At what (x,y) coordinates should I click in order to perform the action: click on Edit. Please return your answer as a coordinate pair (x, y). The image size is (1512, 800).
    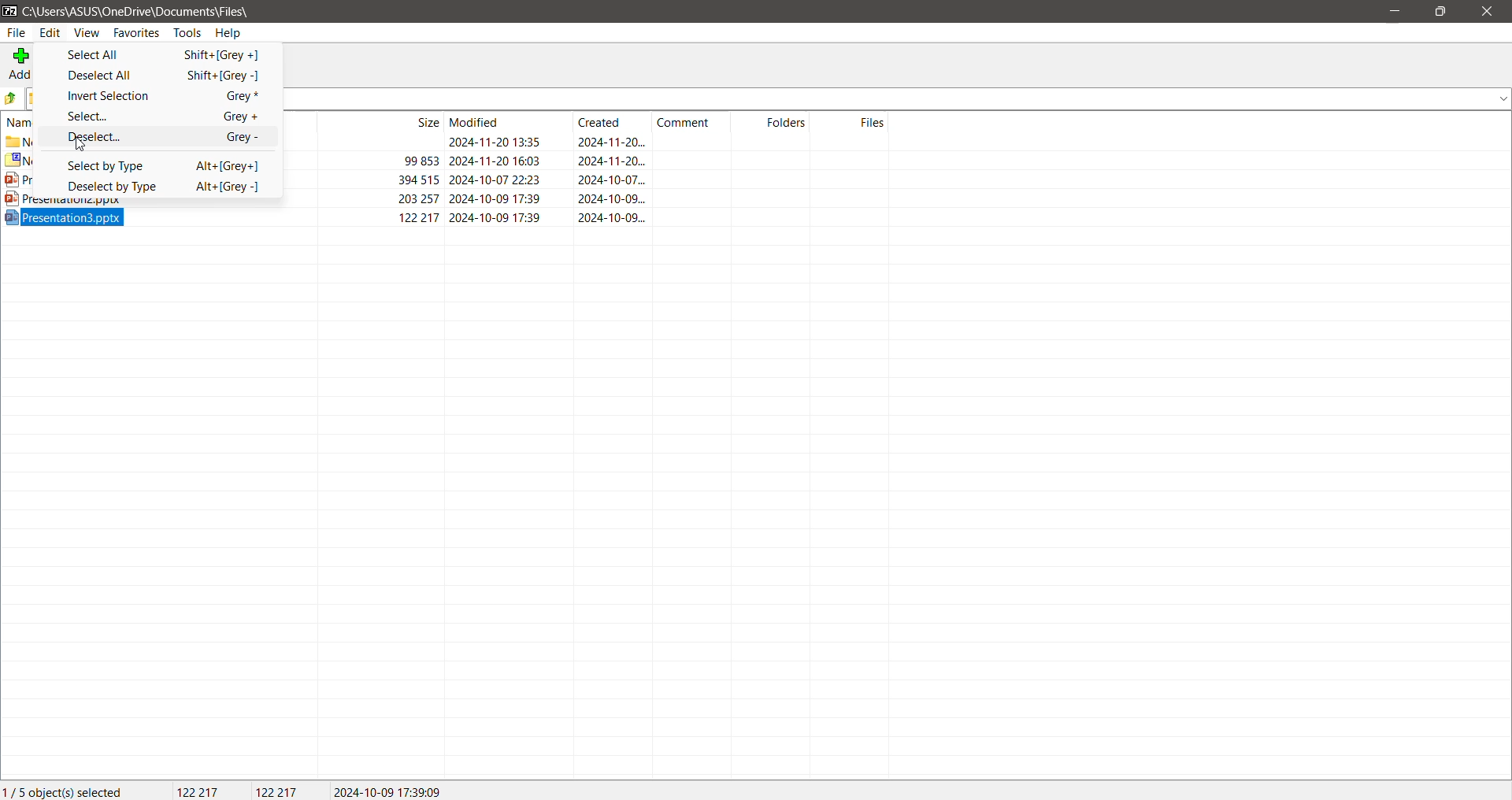
    Looking at the image, I should click on (50, 33).